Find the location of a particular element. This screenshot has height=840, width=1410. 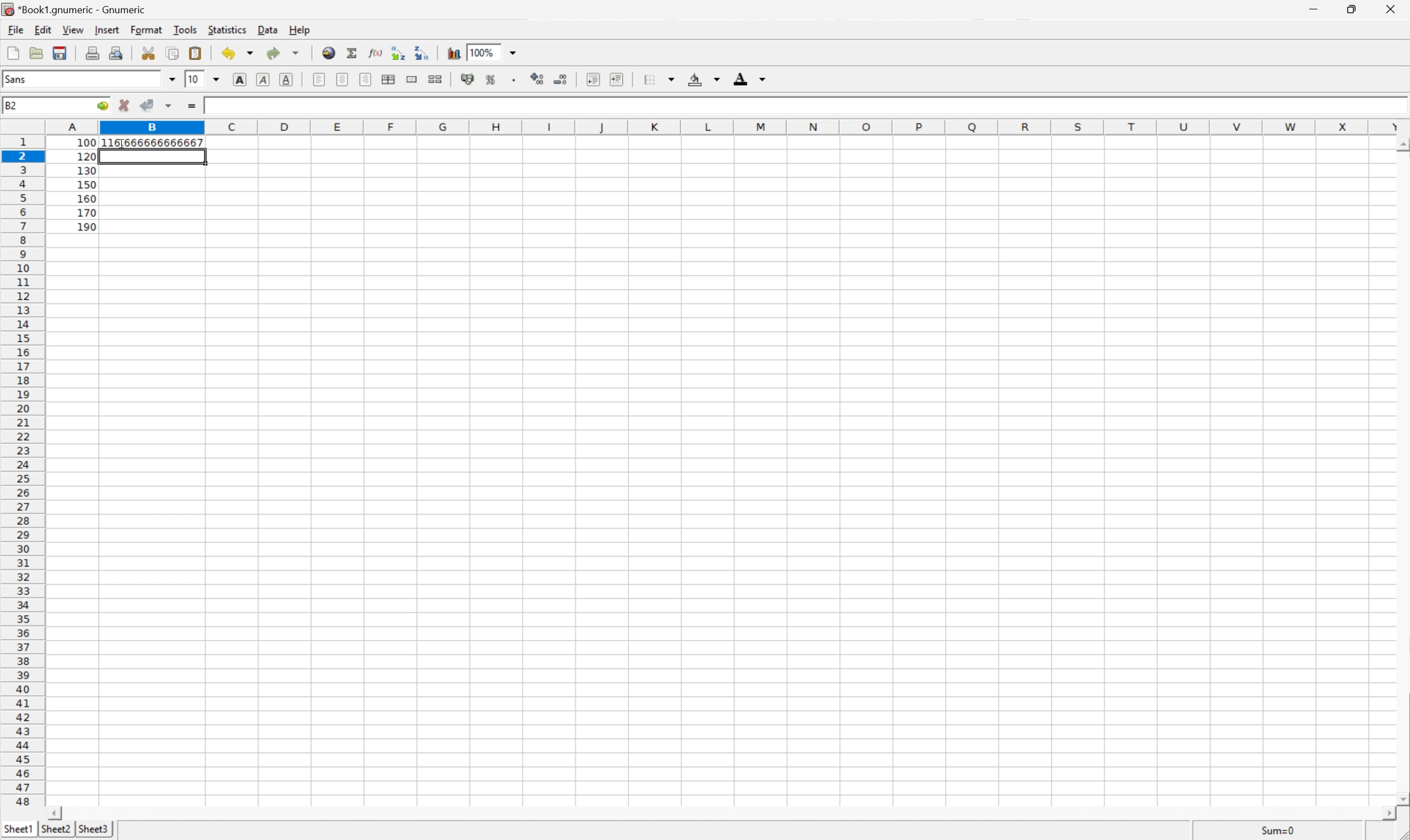

Insert is located at coordinates (108, 29).